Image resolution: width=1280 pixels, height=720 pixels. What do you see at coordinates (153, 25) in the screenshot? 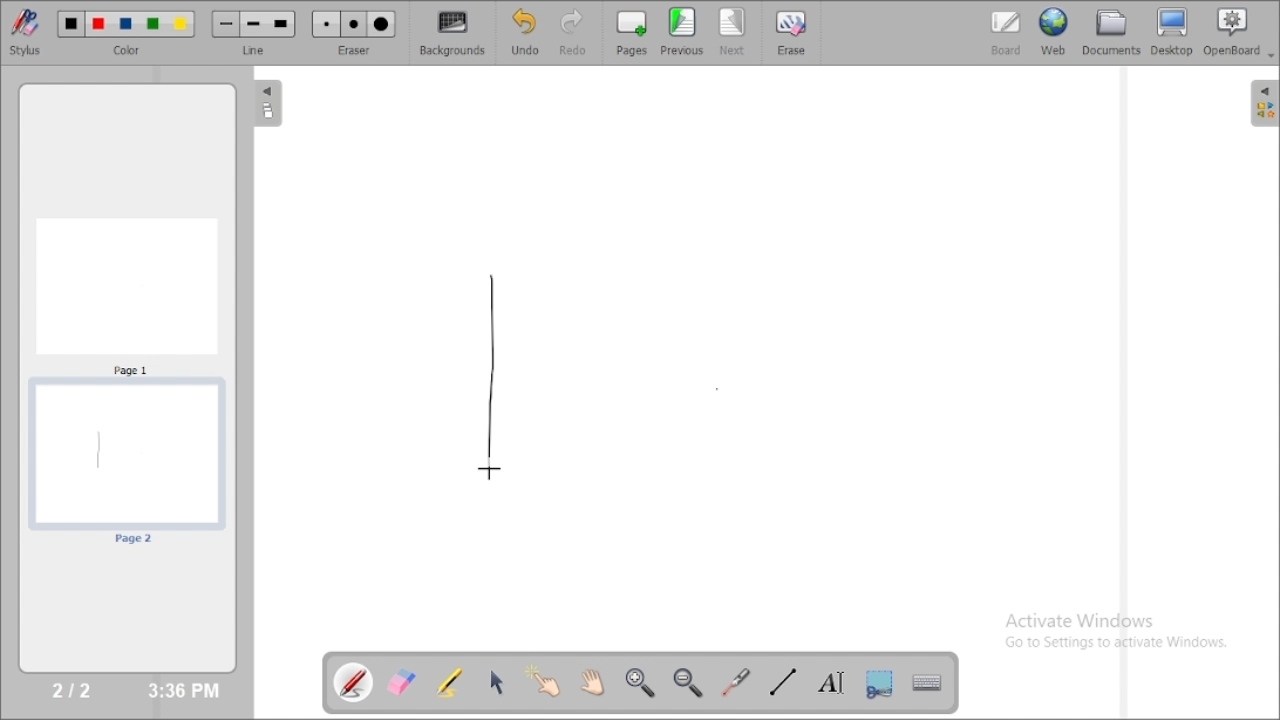
I see `Color 4` at bounding box center [153, 25].